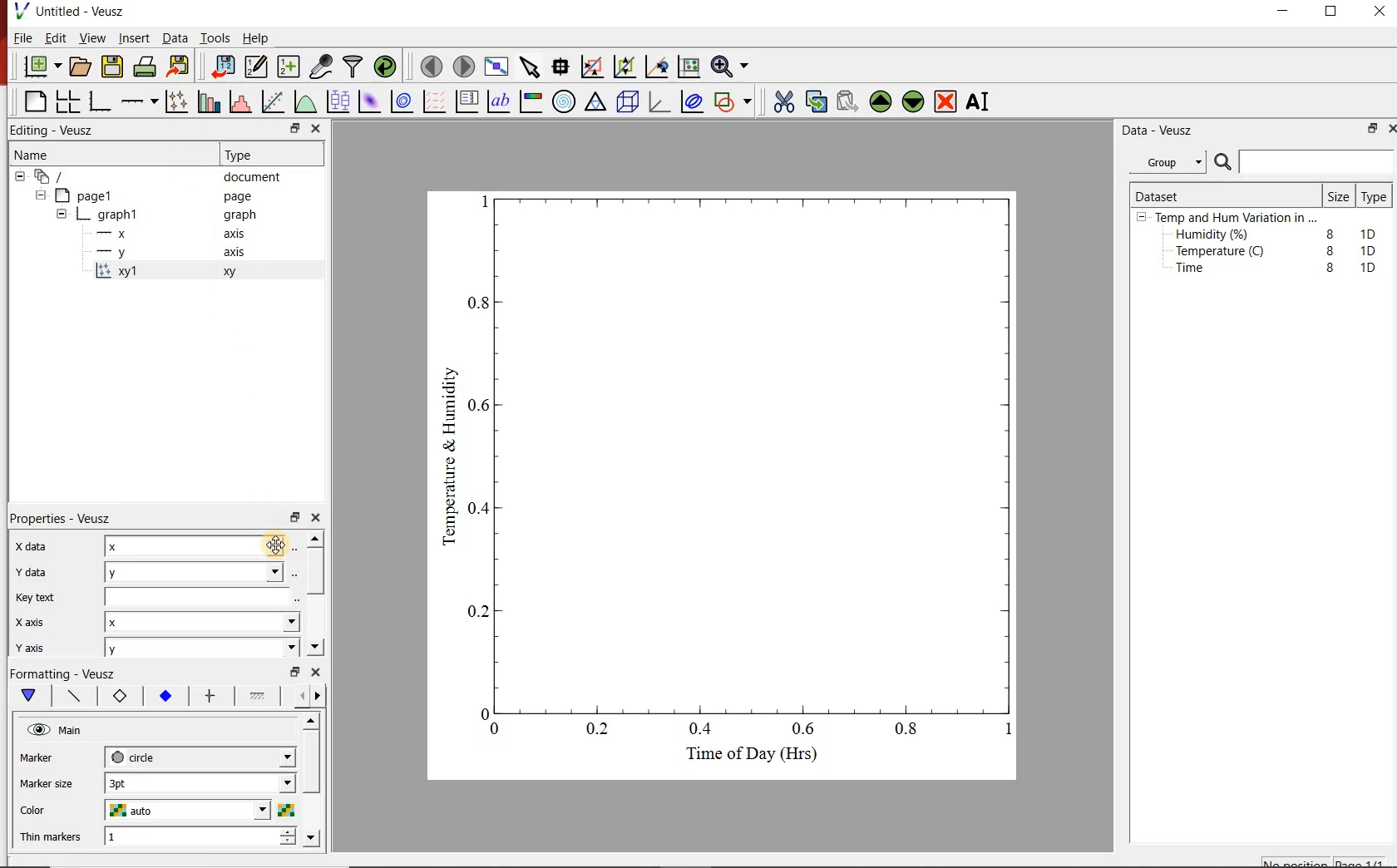  What do you see at coordinates (239, 235) in the screenshot?
I see `axis` at bounding box center [239, 235].